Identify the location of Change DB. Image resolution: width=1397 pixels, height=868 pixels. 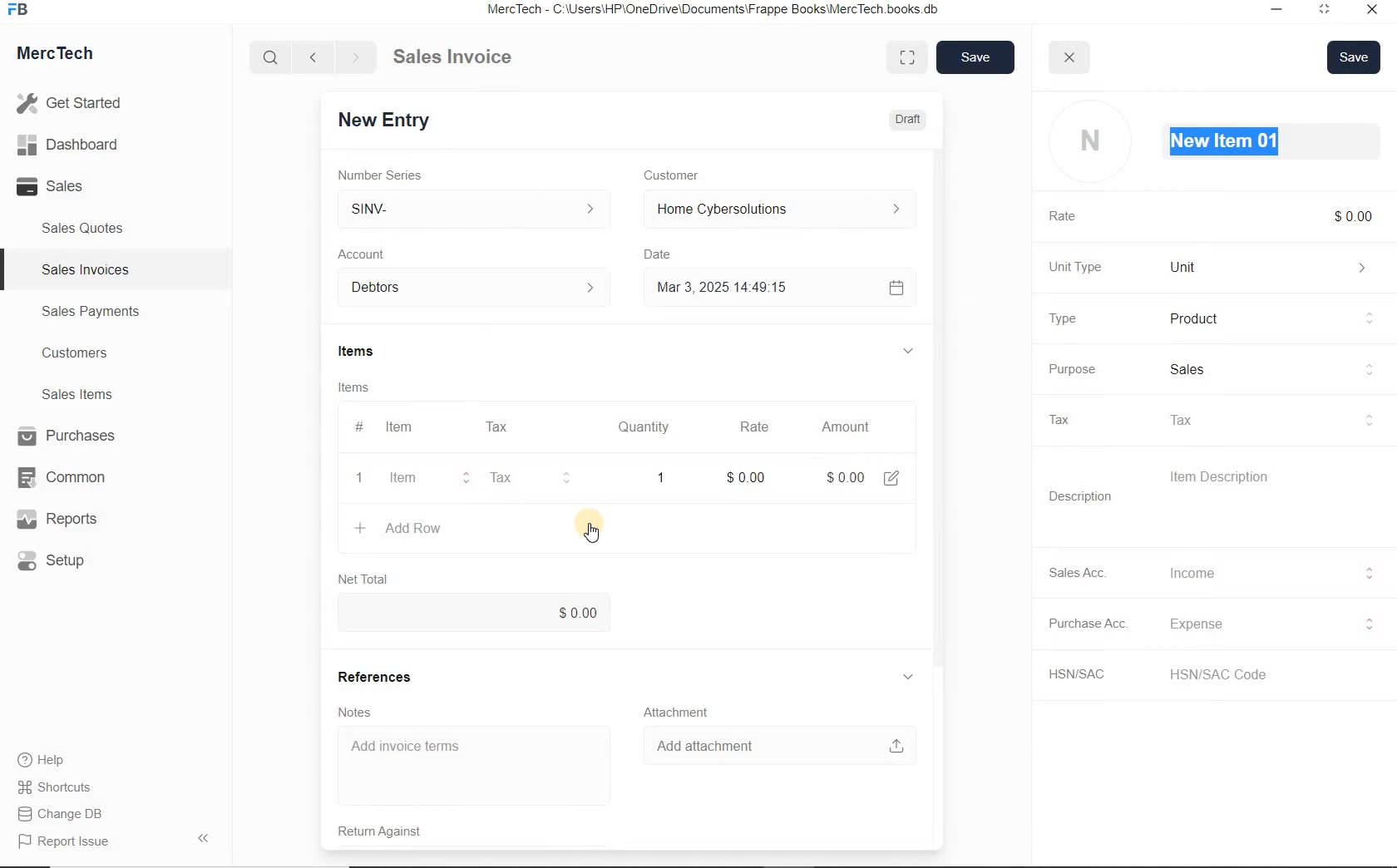
(62, 814).